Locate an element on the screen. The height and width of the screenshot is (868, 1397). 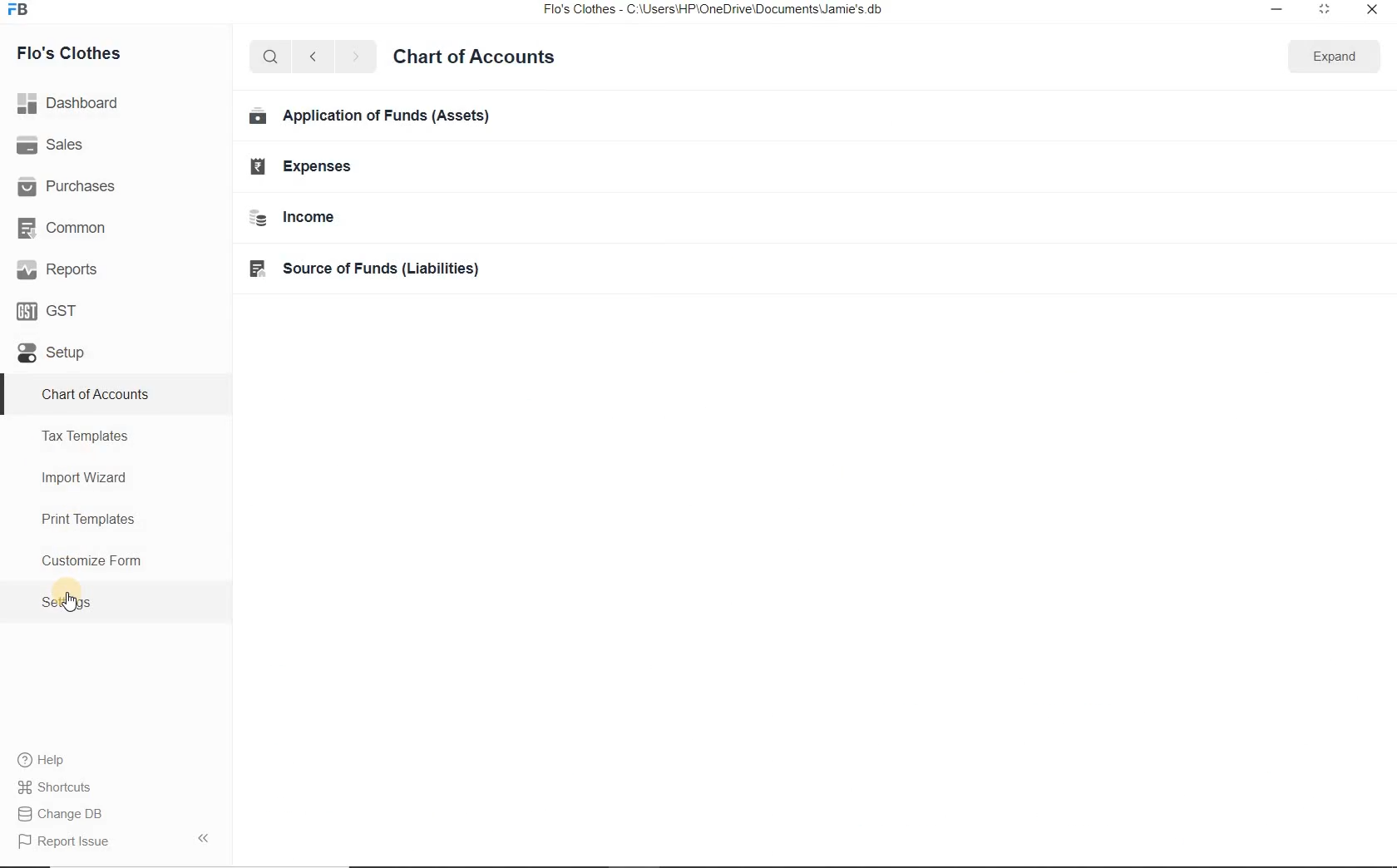
Minimize is located at coordinates (1277, 9).